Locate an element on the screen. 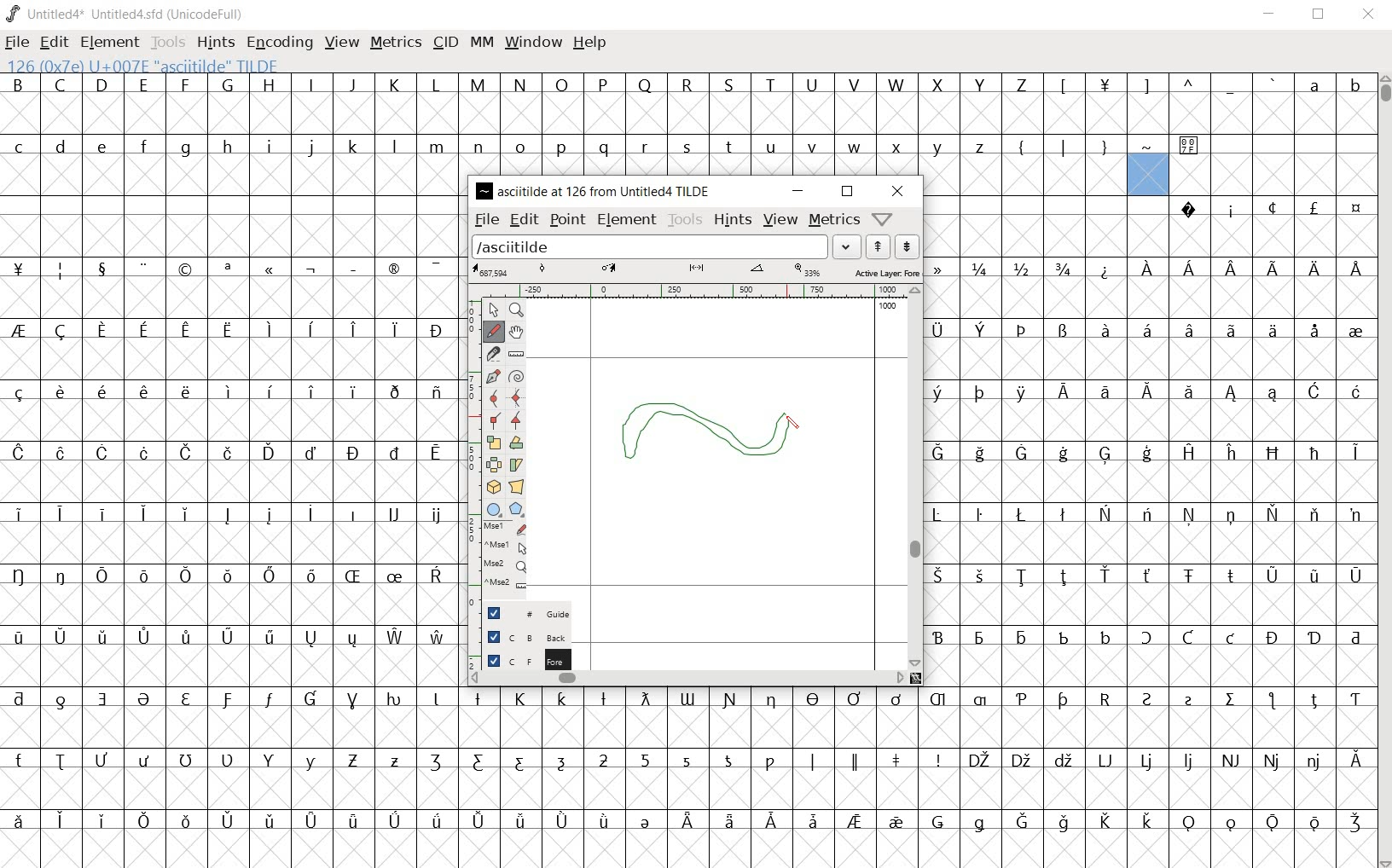 This screenshot has height=868, width=1392. guide is located at coordinates (518, 610).